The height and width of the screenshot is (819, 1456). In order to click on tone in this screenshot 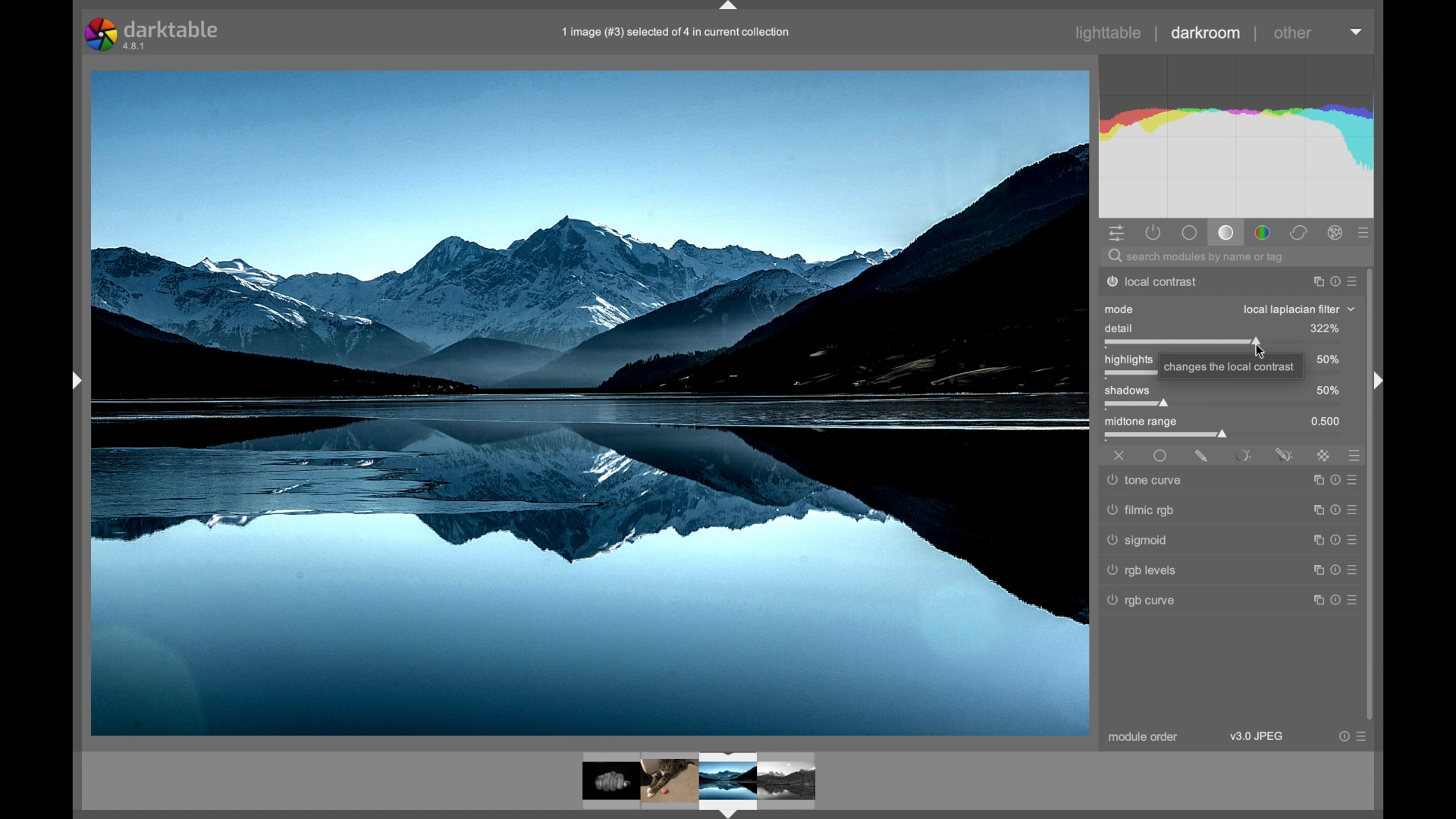, I will do `click(1225, 233)`.